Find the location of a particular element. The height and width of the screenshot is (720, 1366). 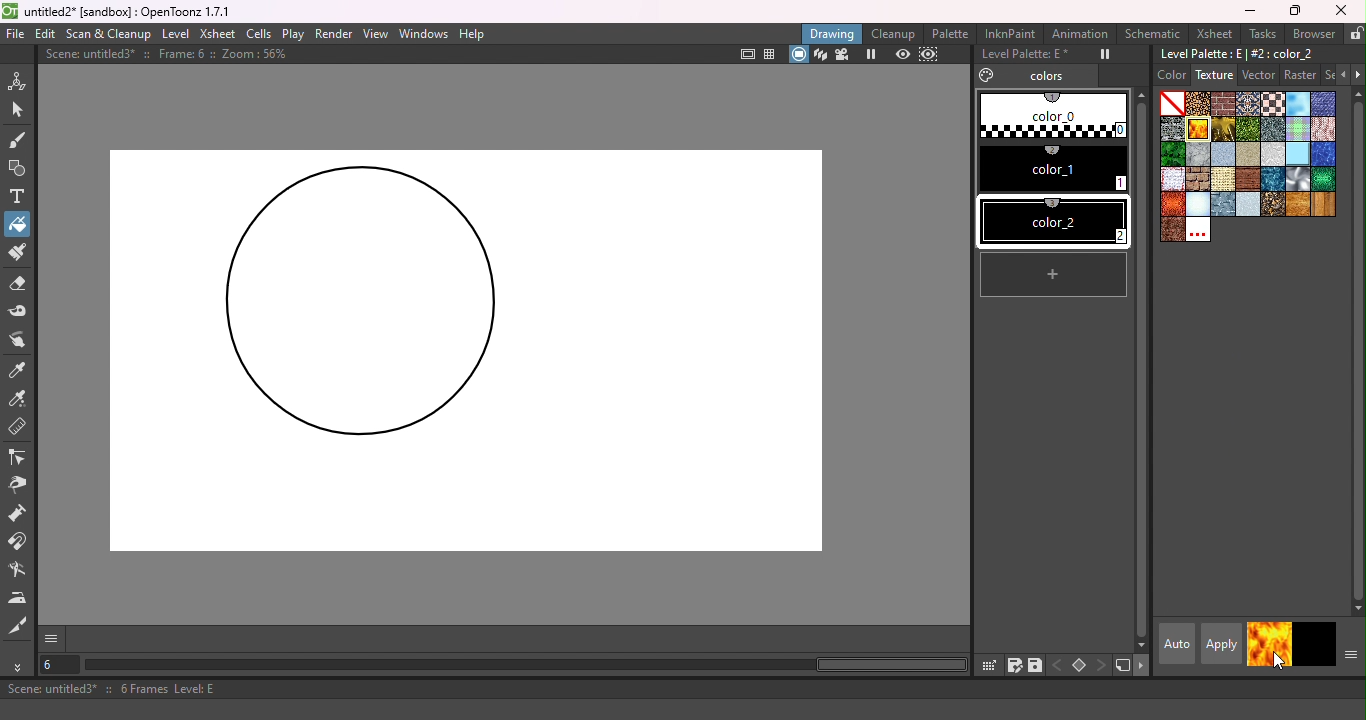

Tape tool is located at coordinates (21, 311).